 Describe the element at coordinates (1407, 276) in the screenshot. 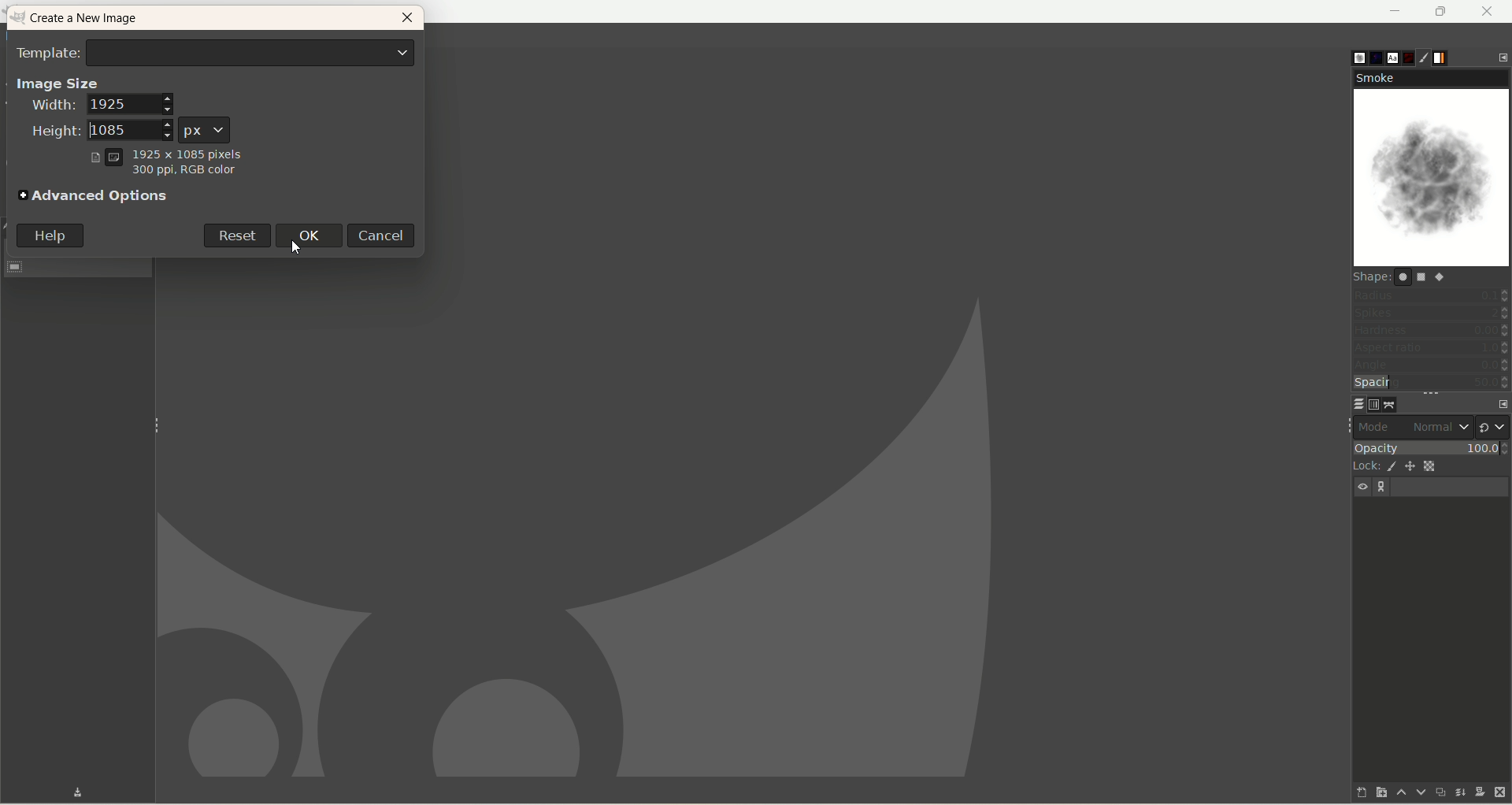

I see `shape` at that location.